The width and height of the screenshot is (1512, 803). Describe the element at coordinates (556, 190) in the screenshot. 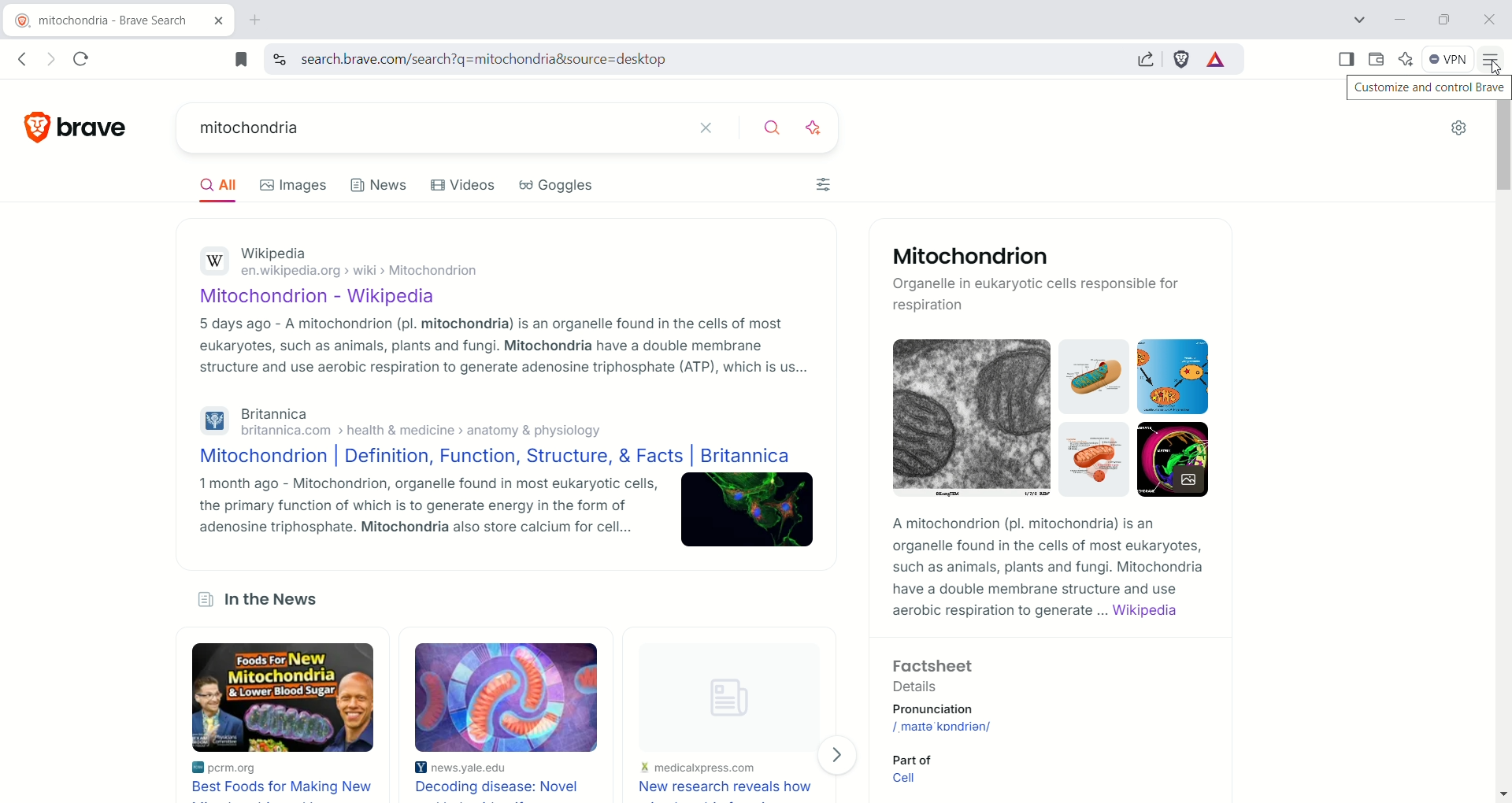

I see `Goggles` at that location.